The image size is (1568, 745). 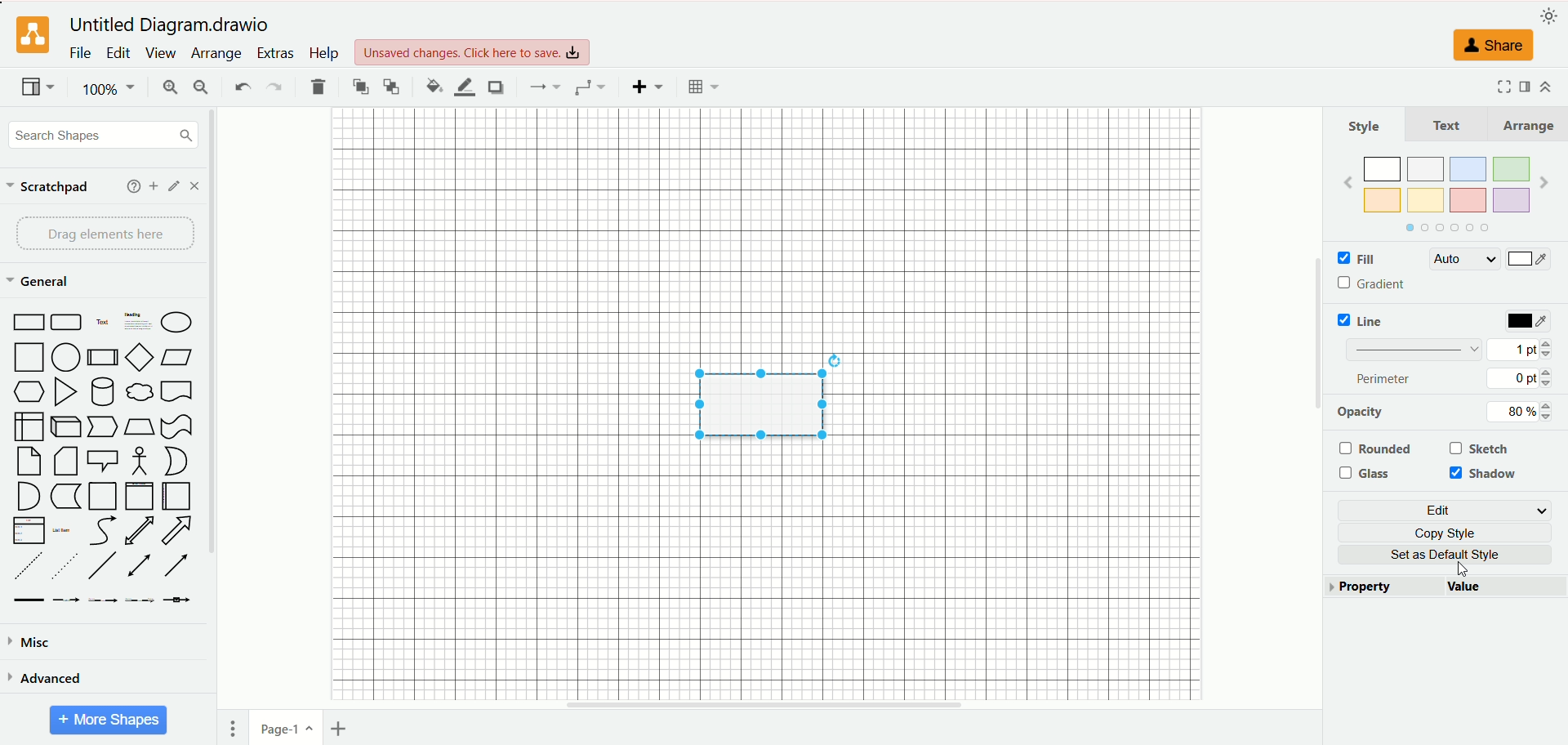 I want to click on advanced, so click(x=45, y=677).